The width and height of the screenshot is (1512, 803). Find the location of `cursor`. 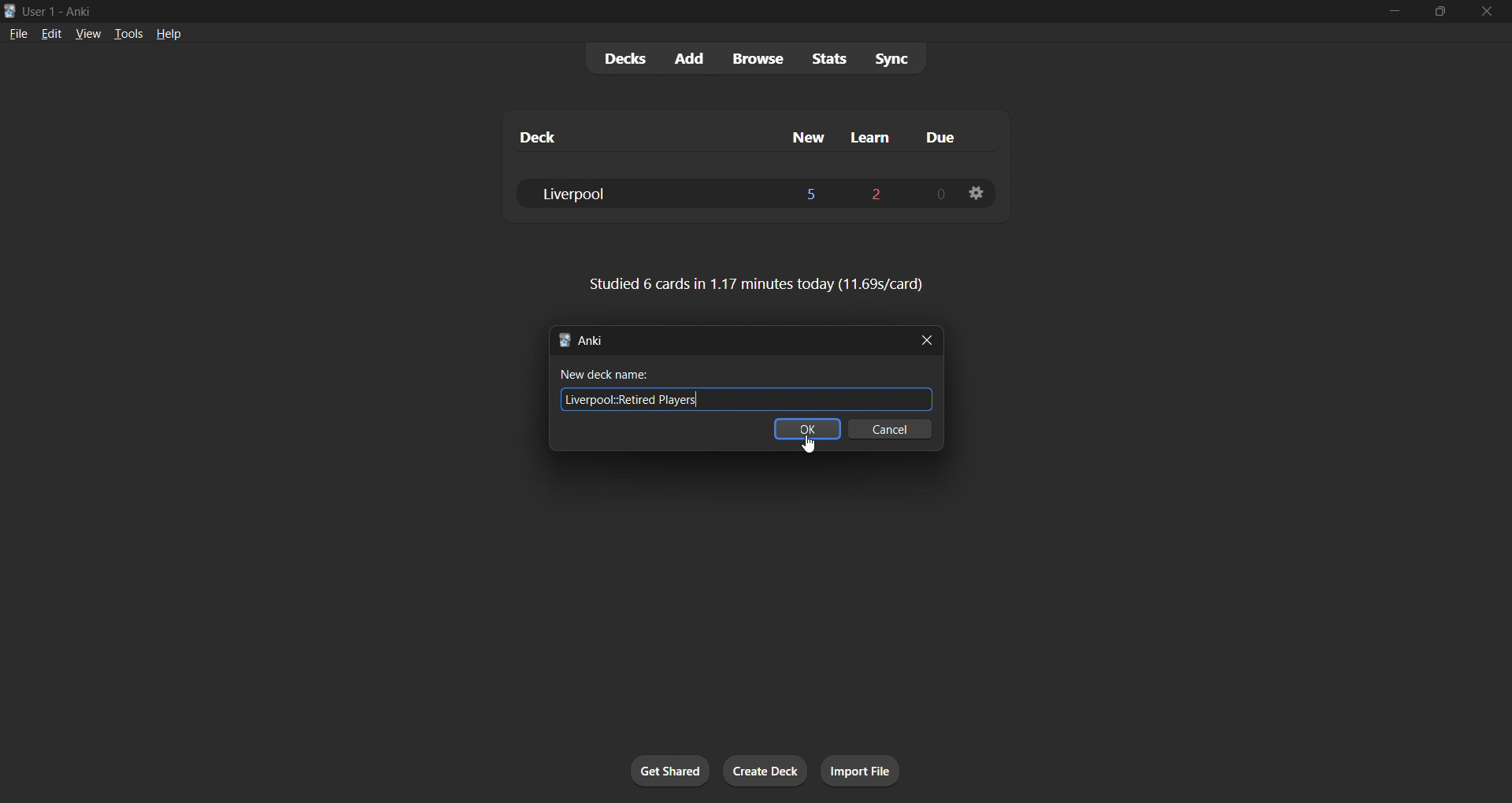

cursor is located at coordinates (806, 447).